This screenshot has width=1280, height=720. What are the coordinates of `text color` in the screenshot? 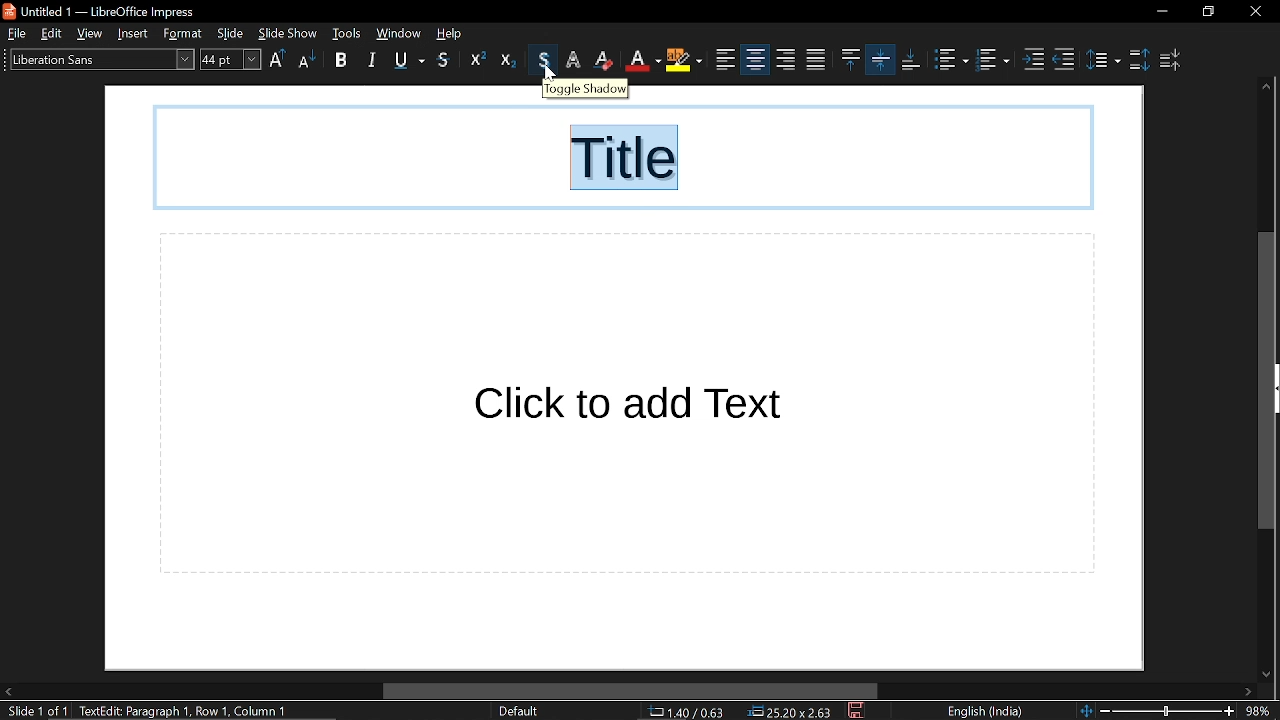 It's located at (605, 60).